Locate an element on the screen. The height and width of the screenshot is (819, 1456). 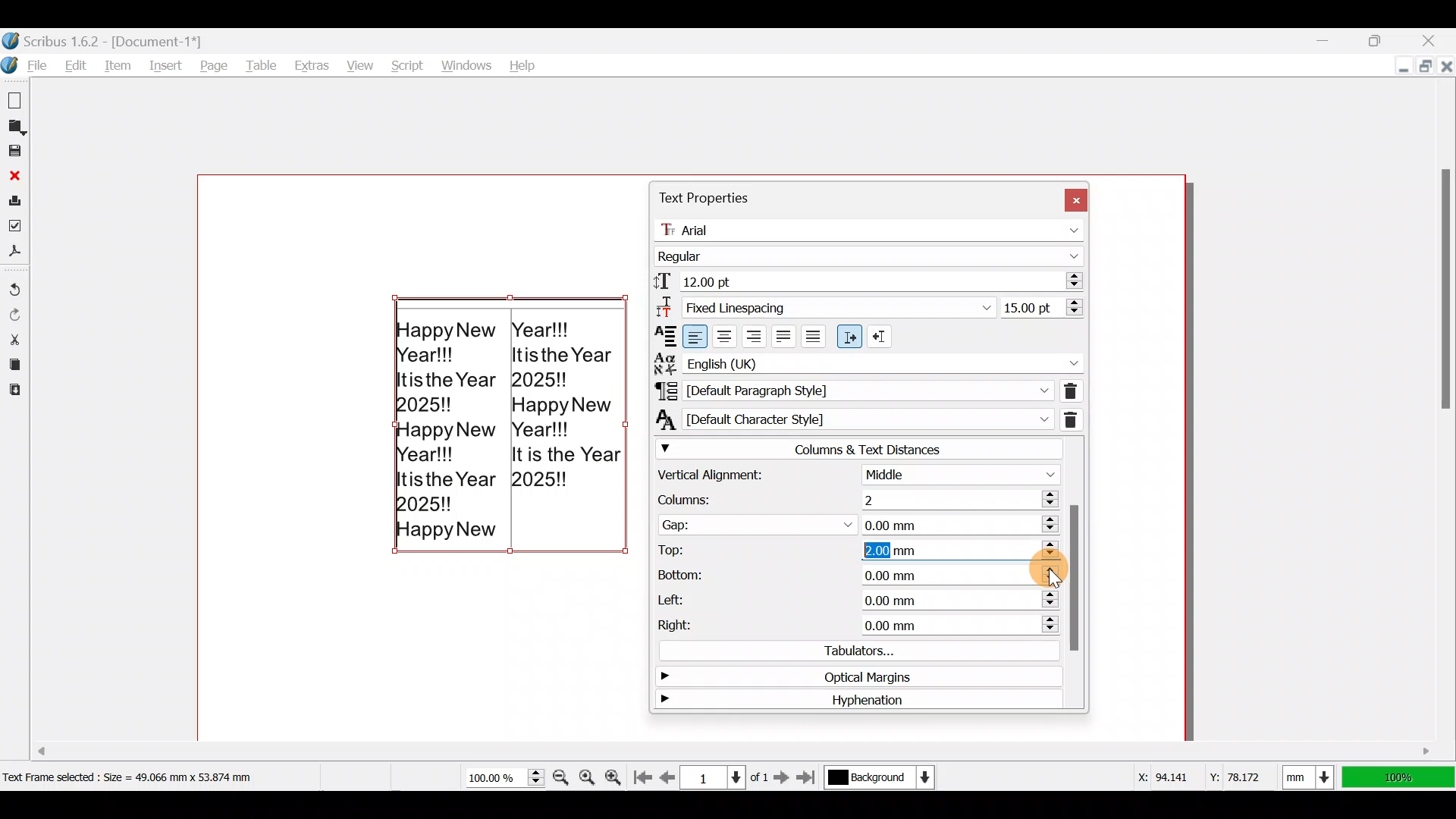
Go to previous page is located at coordinates (668, 774).